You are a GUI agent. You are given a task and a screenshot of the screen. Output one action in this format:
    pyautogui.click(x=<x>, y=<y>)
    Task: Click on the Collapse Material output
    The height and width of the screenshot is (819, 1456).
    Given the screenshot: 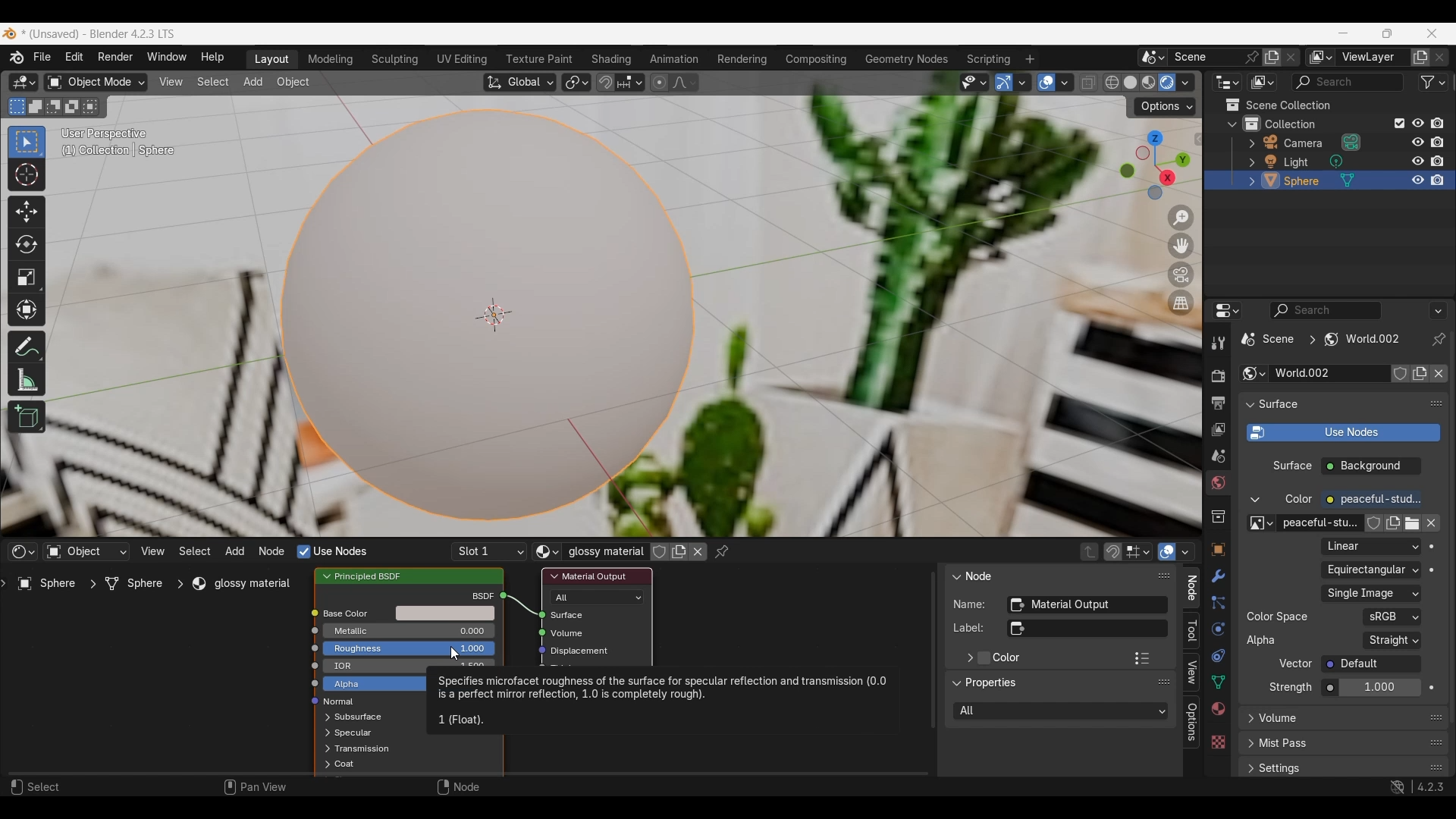 What is the action you would take?
    pyautogui.click(x=554, y=576)
    